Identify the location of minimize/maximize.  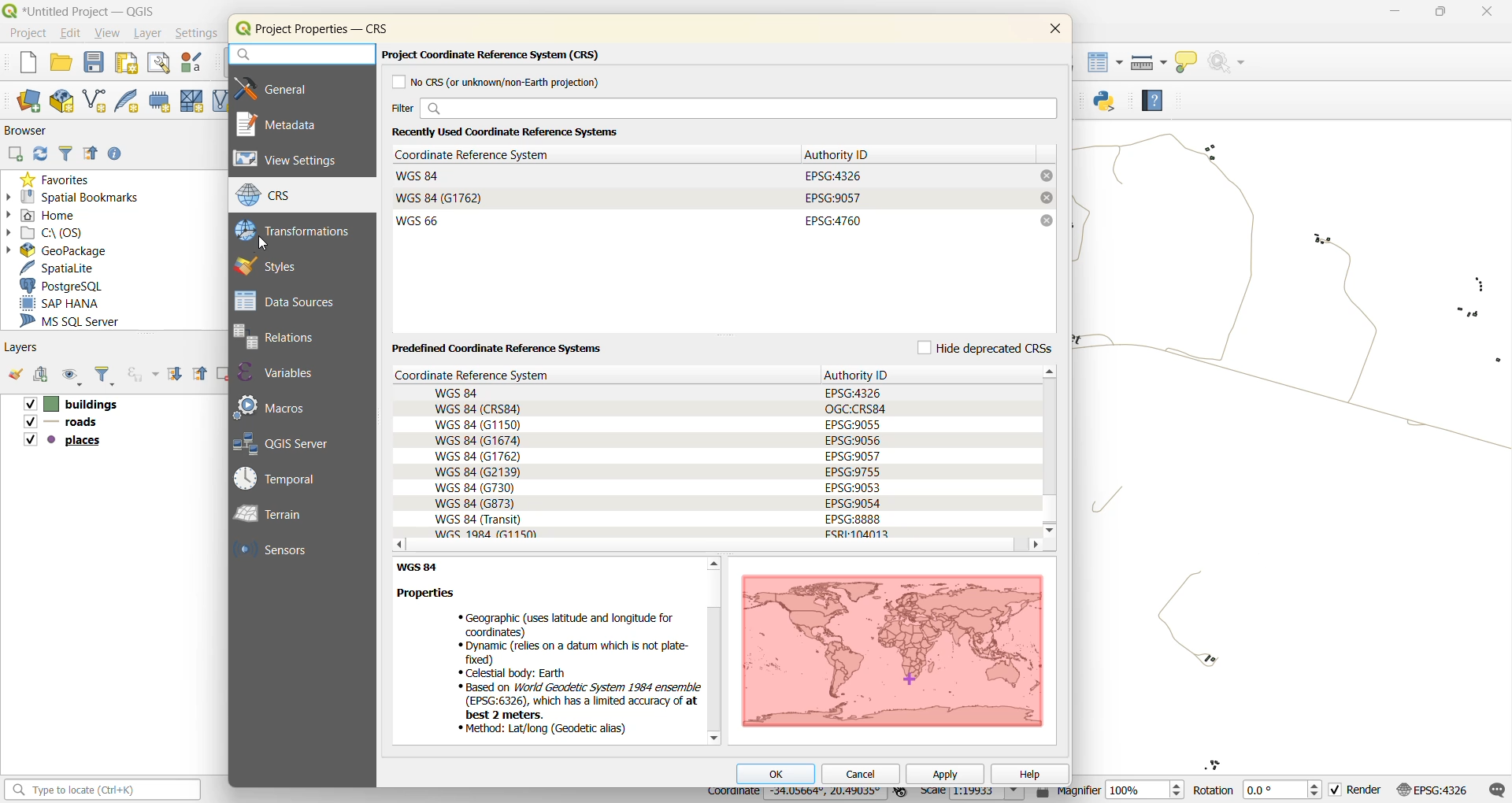
(1440, 14).